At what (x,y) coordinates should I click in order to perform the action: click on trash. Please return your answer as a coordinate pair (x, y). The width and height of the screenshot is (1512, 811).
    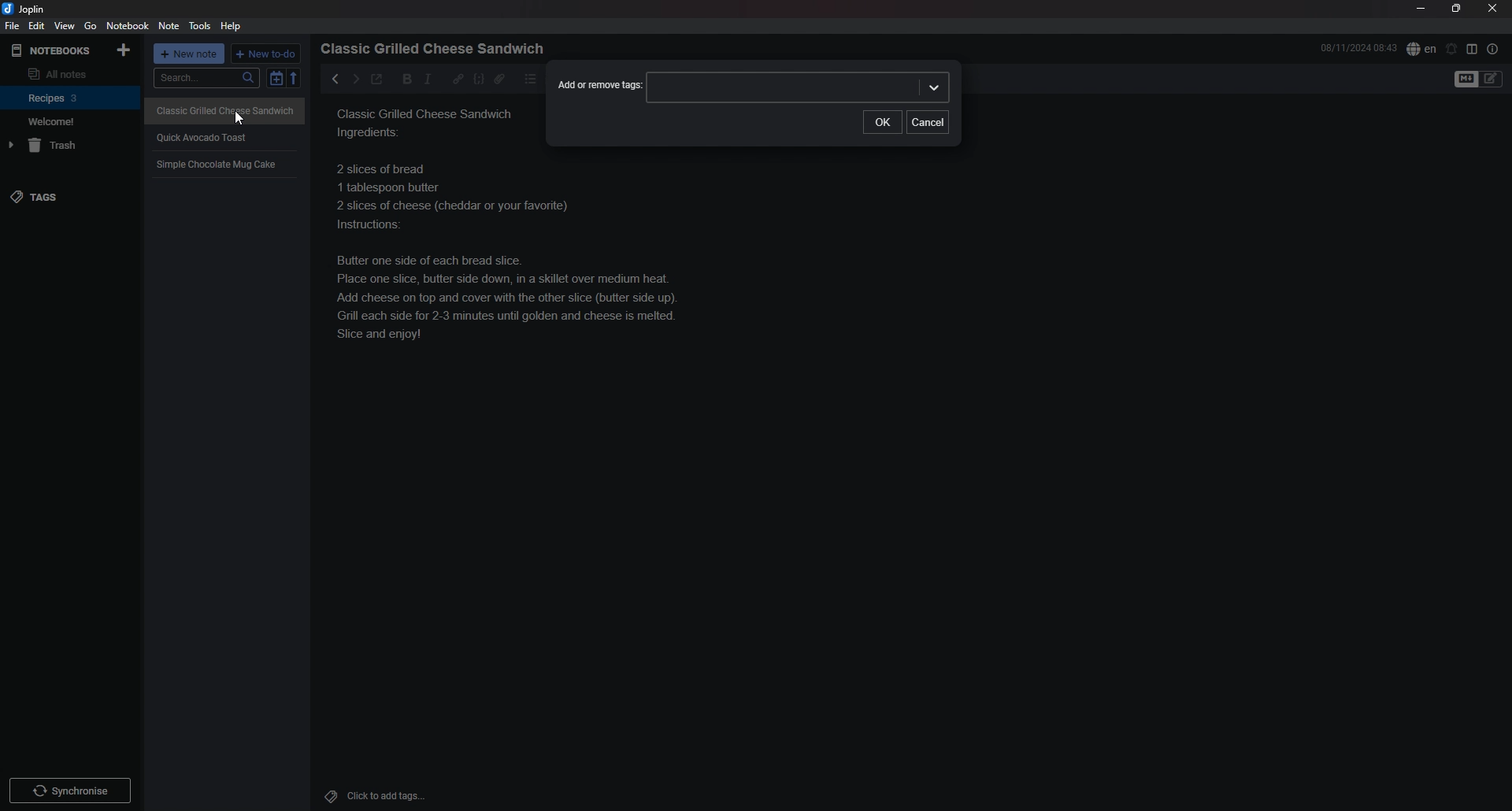
    Looking at the image, I should click on (72, 146).